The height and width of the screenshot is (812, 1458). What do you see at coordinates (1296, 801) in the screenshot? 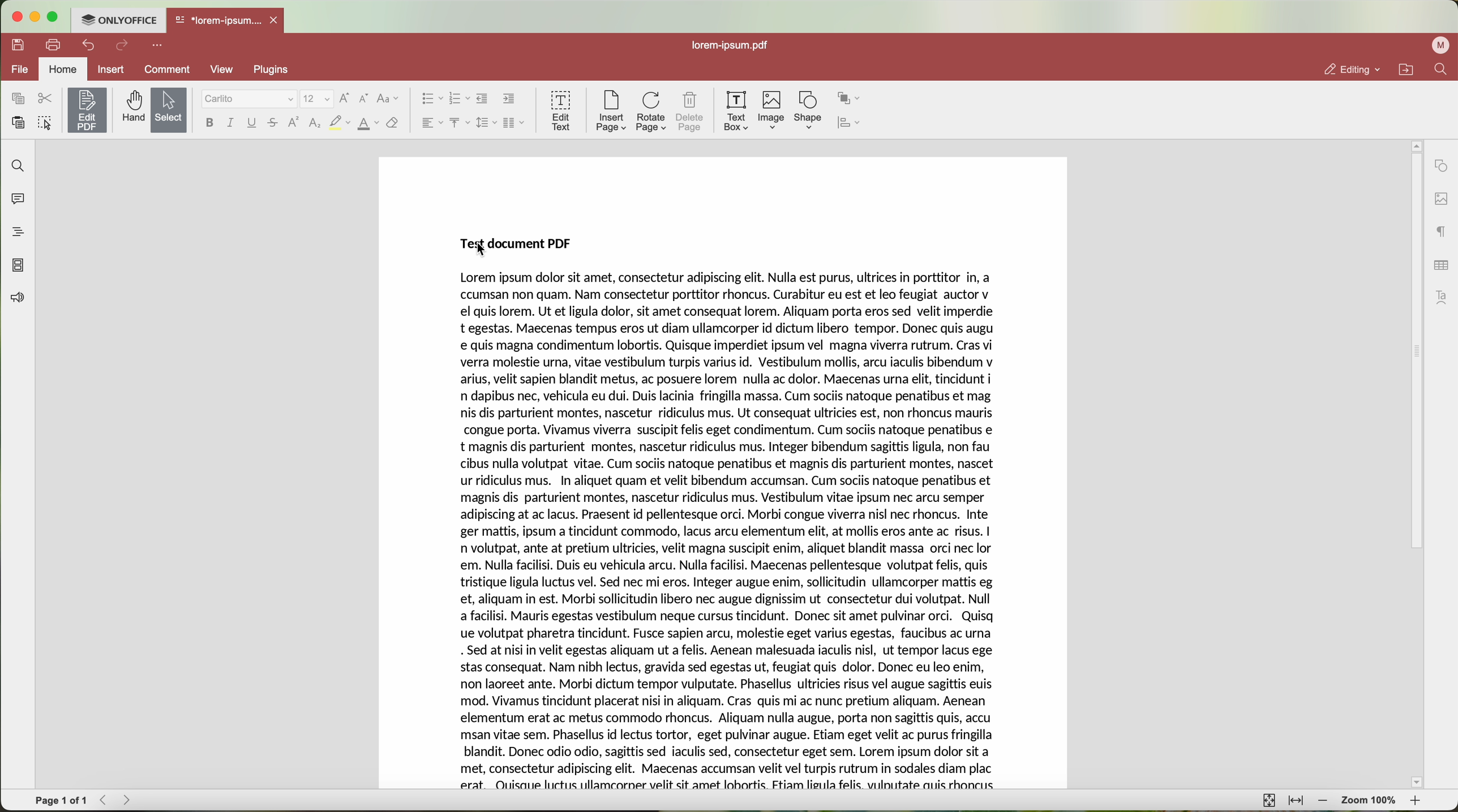
I see `fit to width` at bounding box center [1296, 801].